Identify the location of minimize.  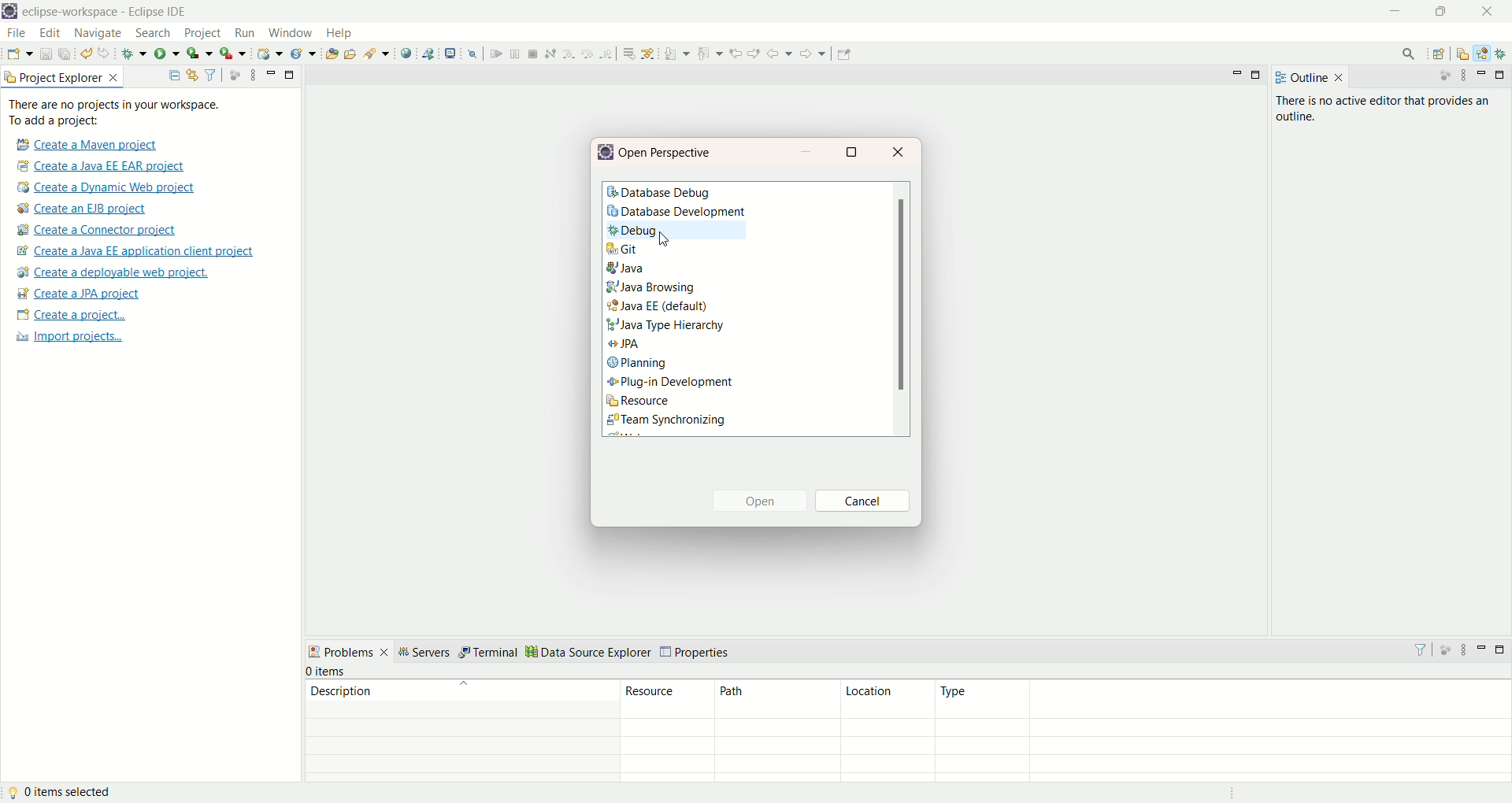
(812, 151).